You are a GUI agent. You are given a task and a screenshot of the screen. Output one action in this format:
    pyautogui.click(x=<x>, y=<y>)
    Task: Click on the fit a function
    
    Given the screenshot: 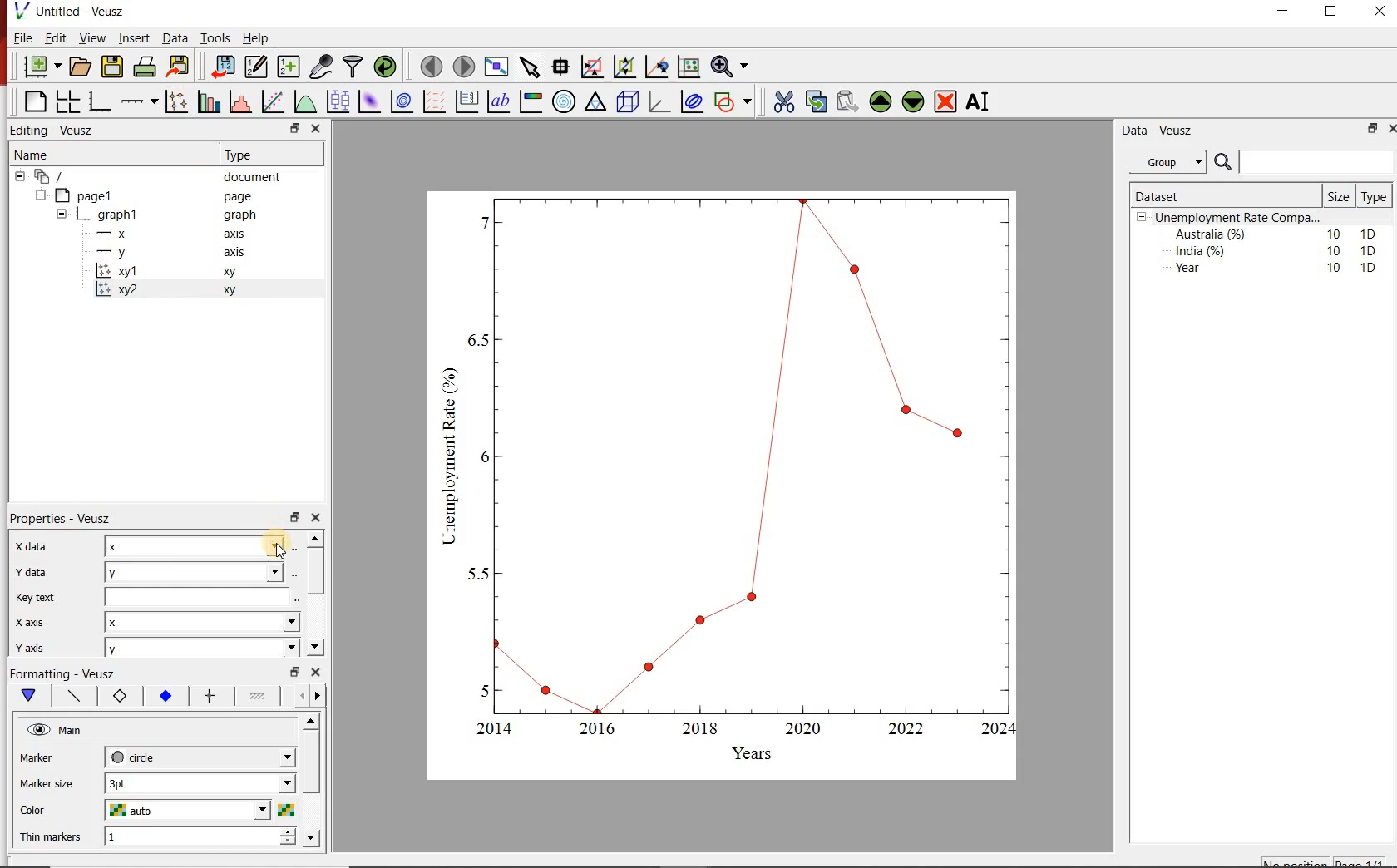 What is the action you would take?
    pyautogui.click(x=272, y=101)
    